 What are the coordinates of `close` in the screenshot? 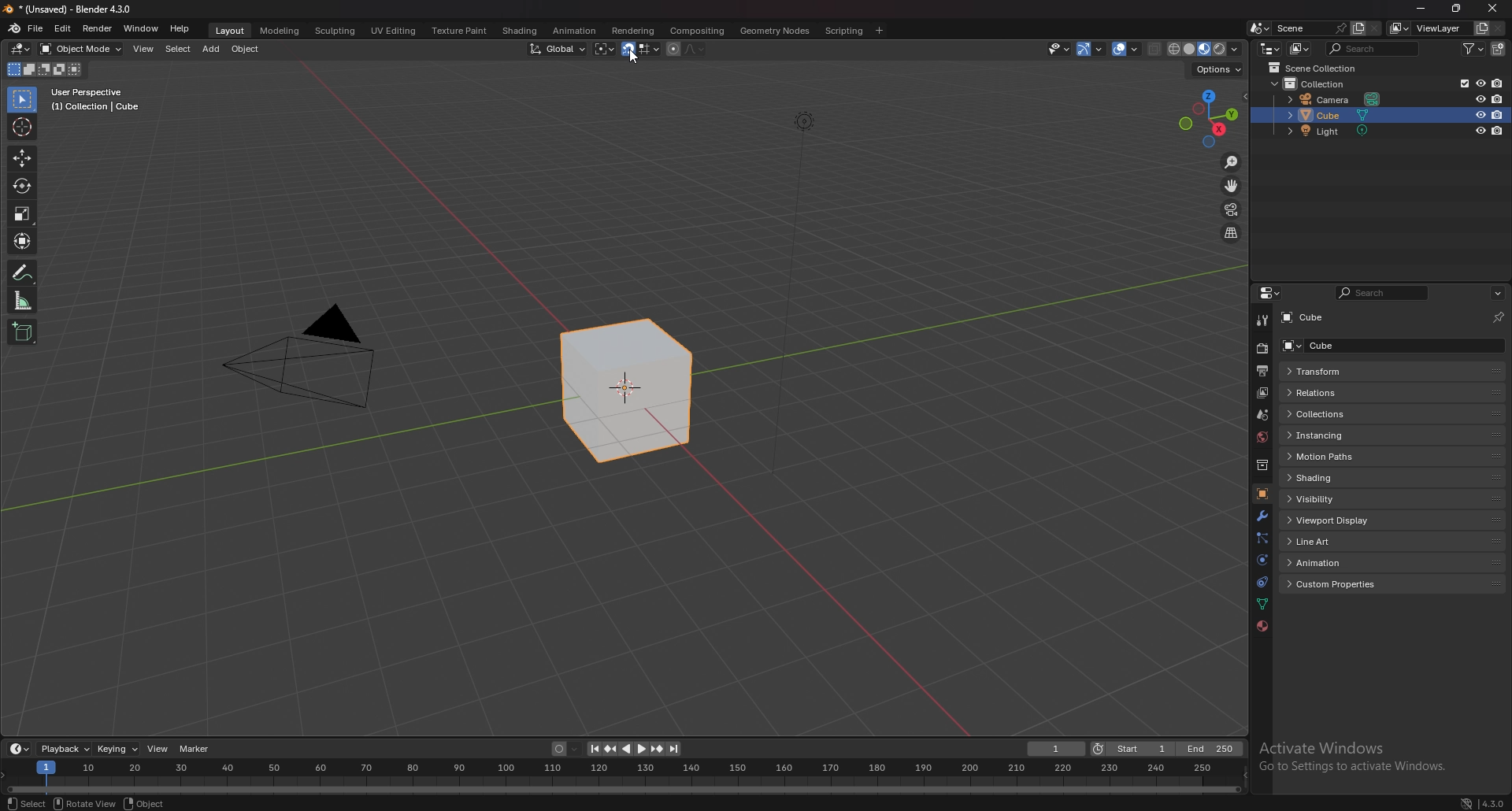 It's located at (1493, 8).